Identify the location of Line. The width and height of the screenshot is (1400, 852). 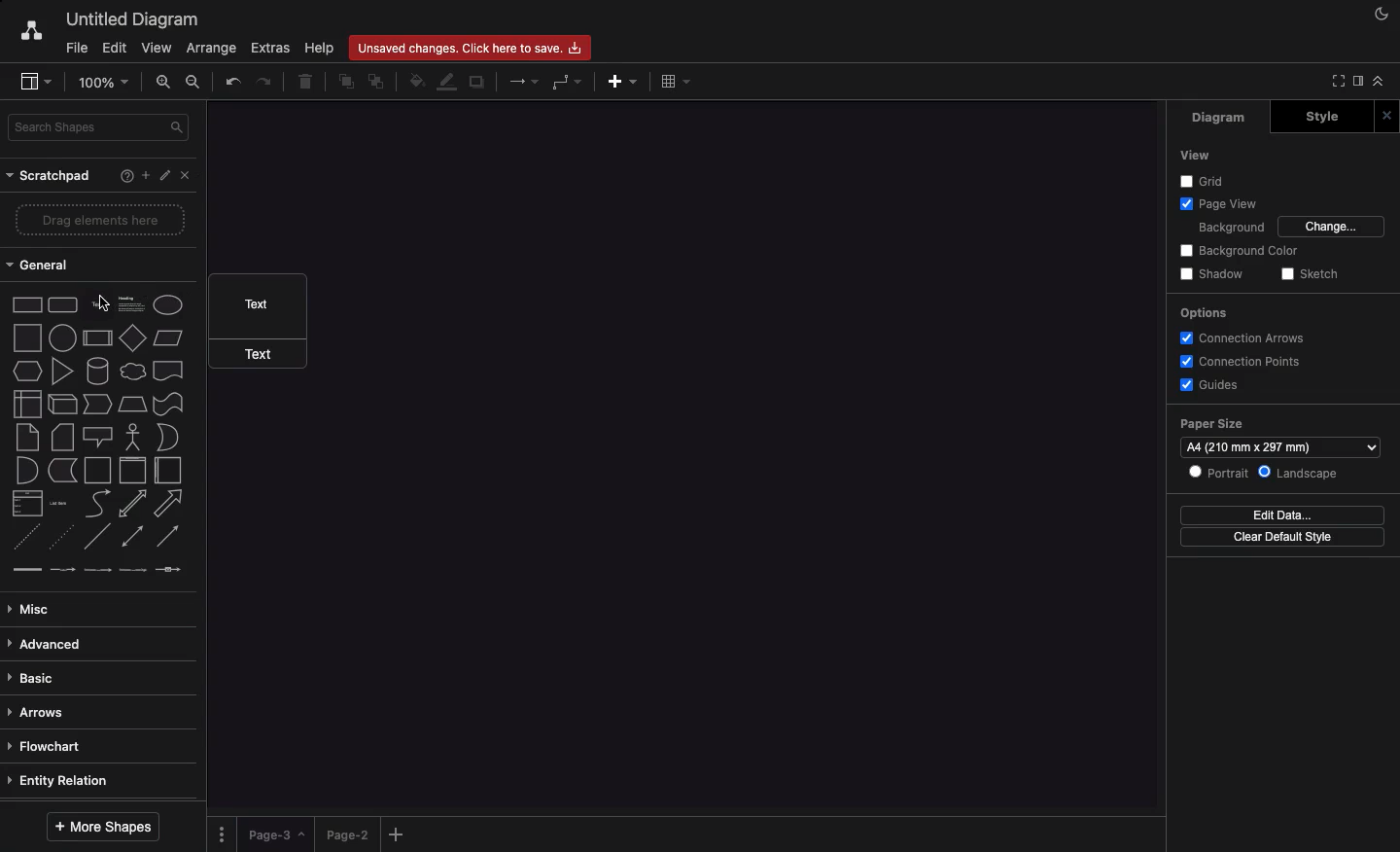
(97, 536).